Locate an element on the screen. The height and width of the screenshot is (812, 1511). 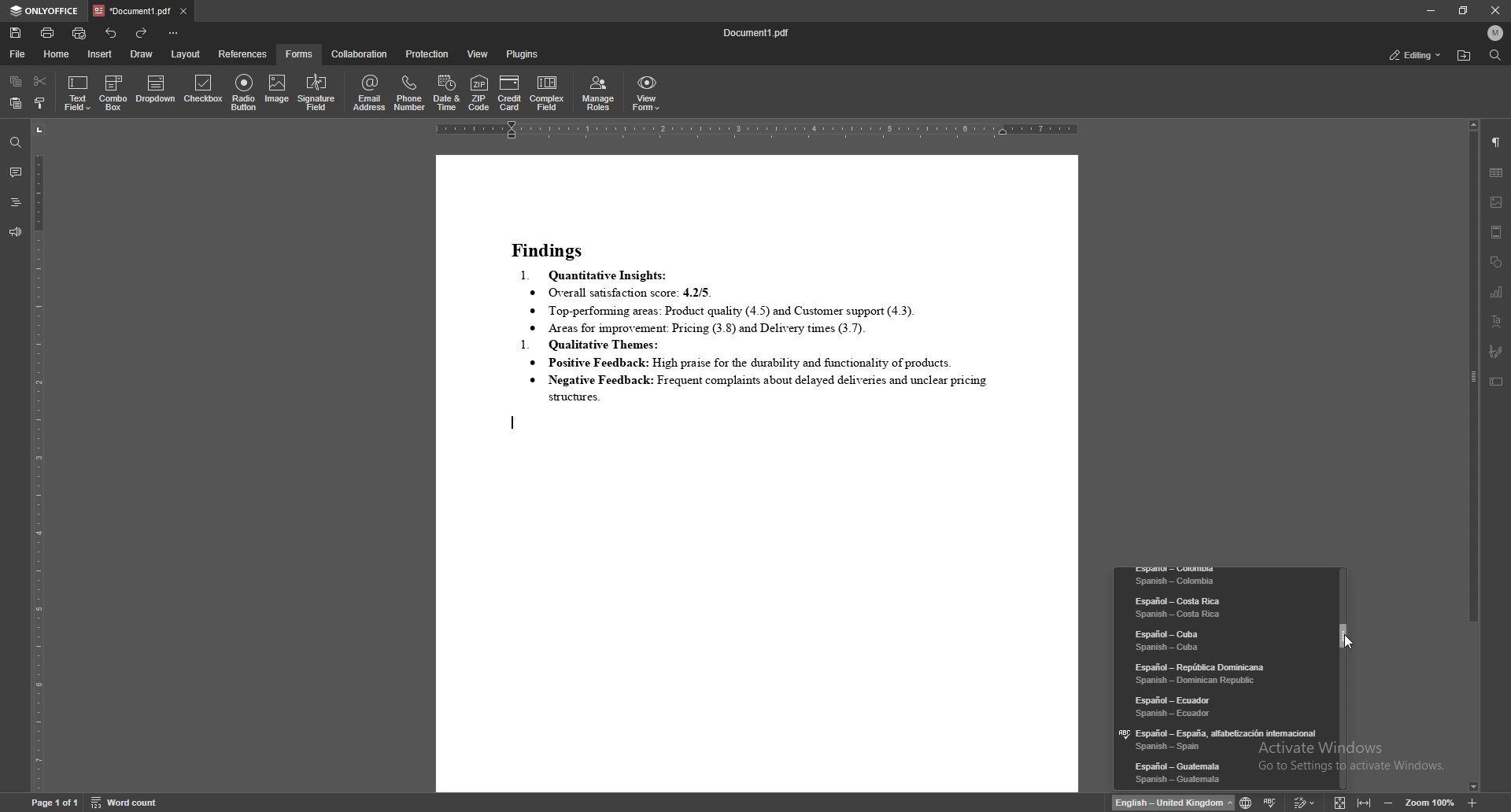
paste is located at coordinates (16, 103).